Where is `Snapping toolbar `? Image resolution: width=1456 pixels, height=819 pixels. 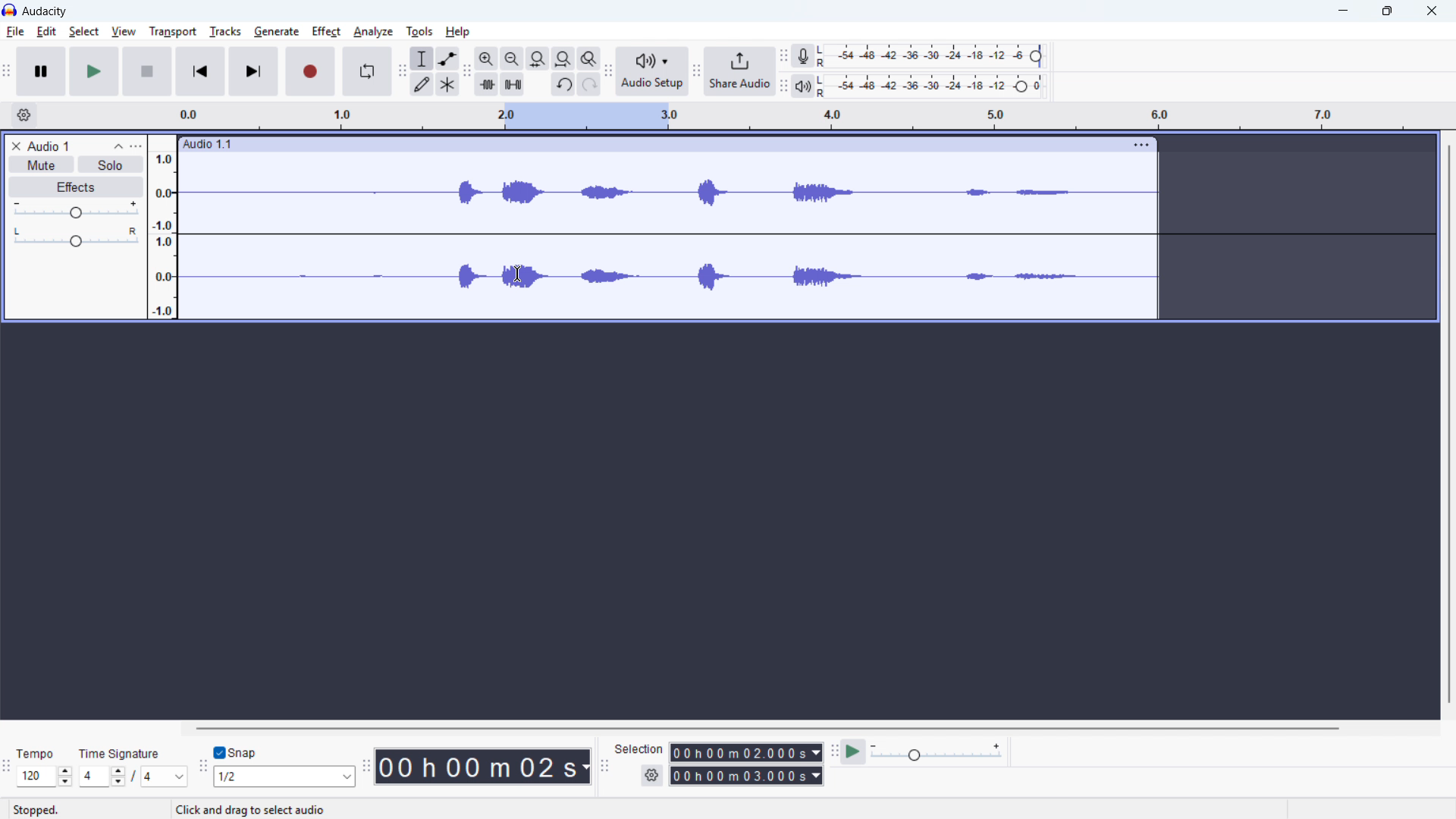
Snapping toolbar  is located at coordinates (203, 769).